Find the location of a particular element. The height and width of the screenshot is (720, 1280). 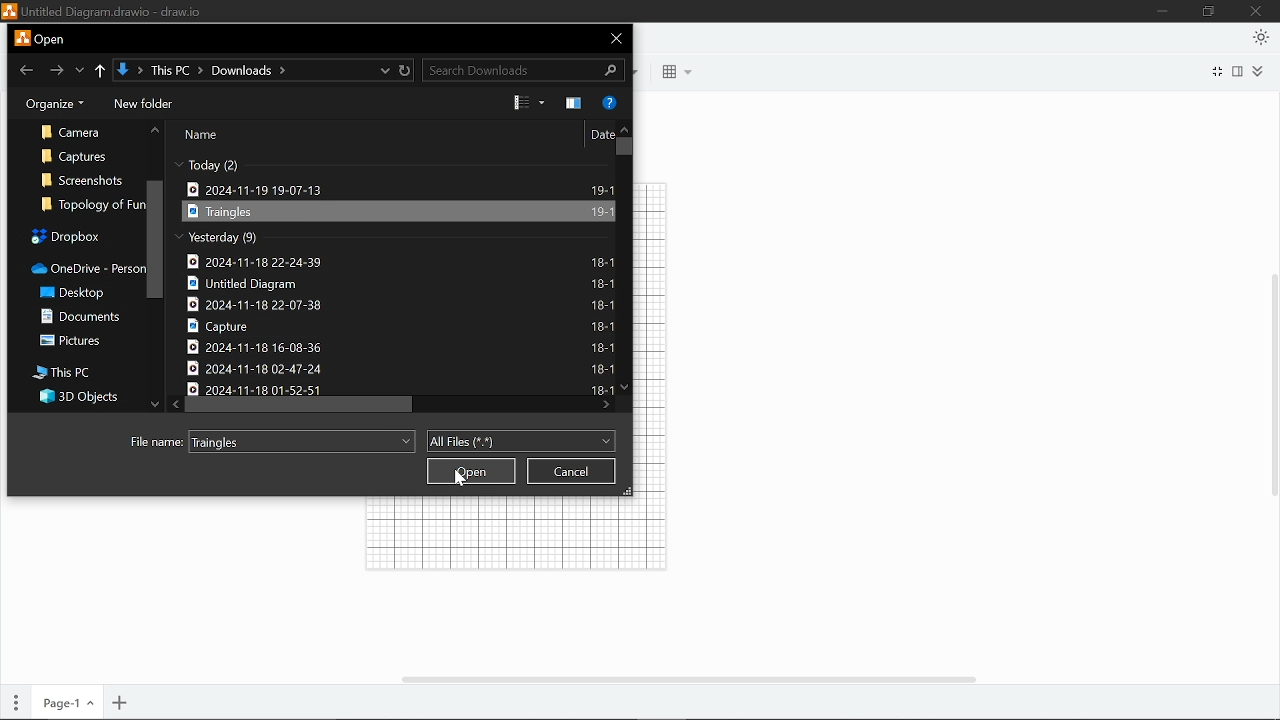

Show the preview pane is located at coordinates (573, 103).